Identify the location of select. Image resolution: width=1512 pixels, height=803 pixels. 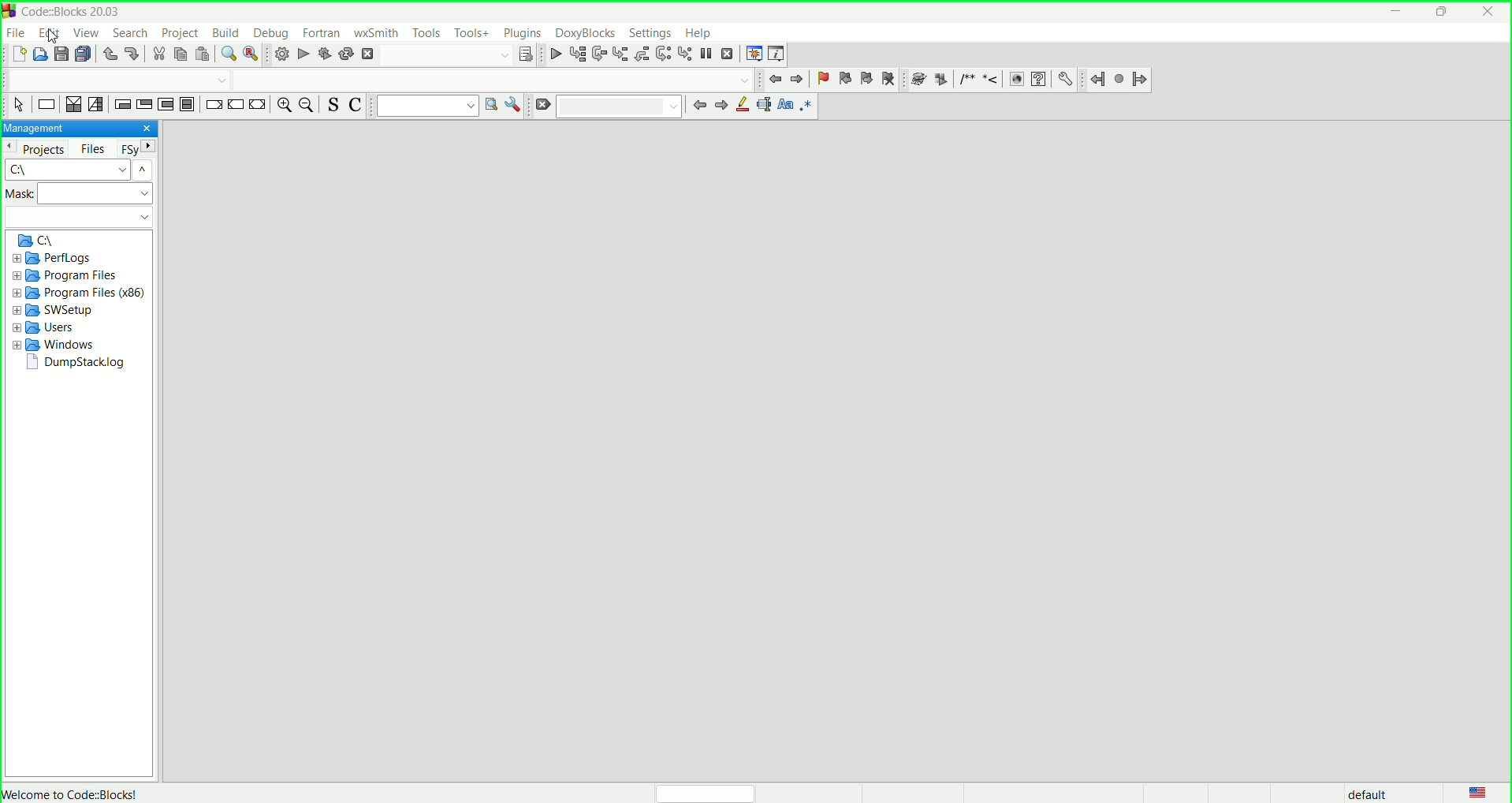
(18, 106).